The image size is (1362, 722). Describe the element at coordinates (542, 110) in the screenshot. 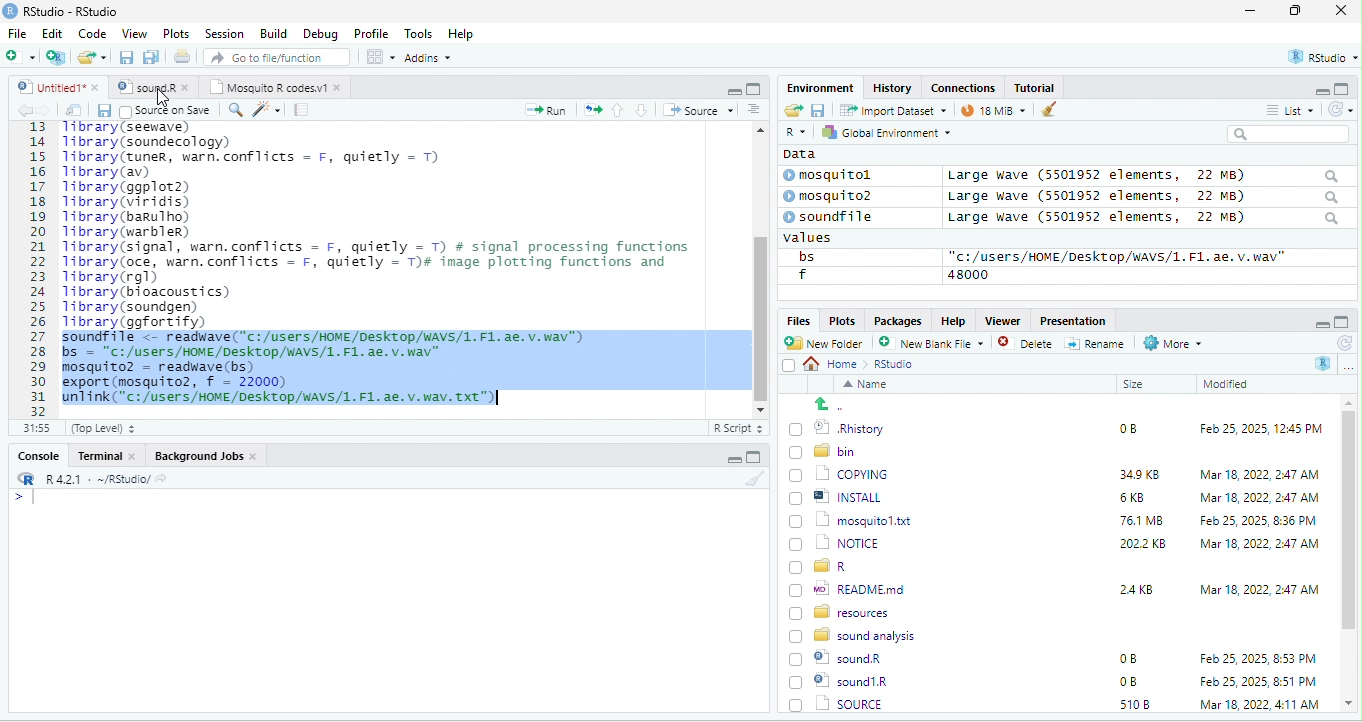

I see `Run` at that location.